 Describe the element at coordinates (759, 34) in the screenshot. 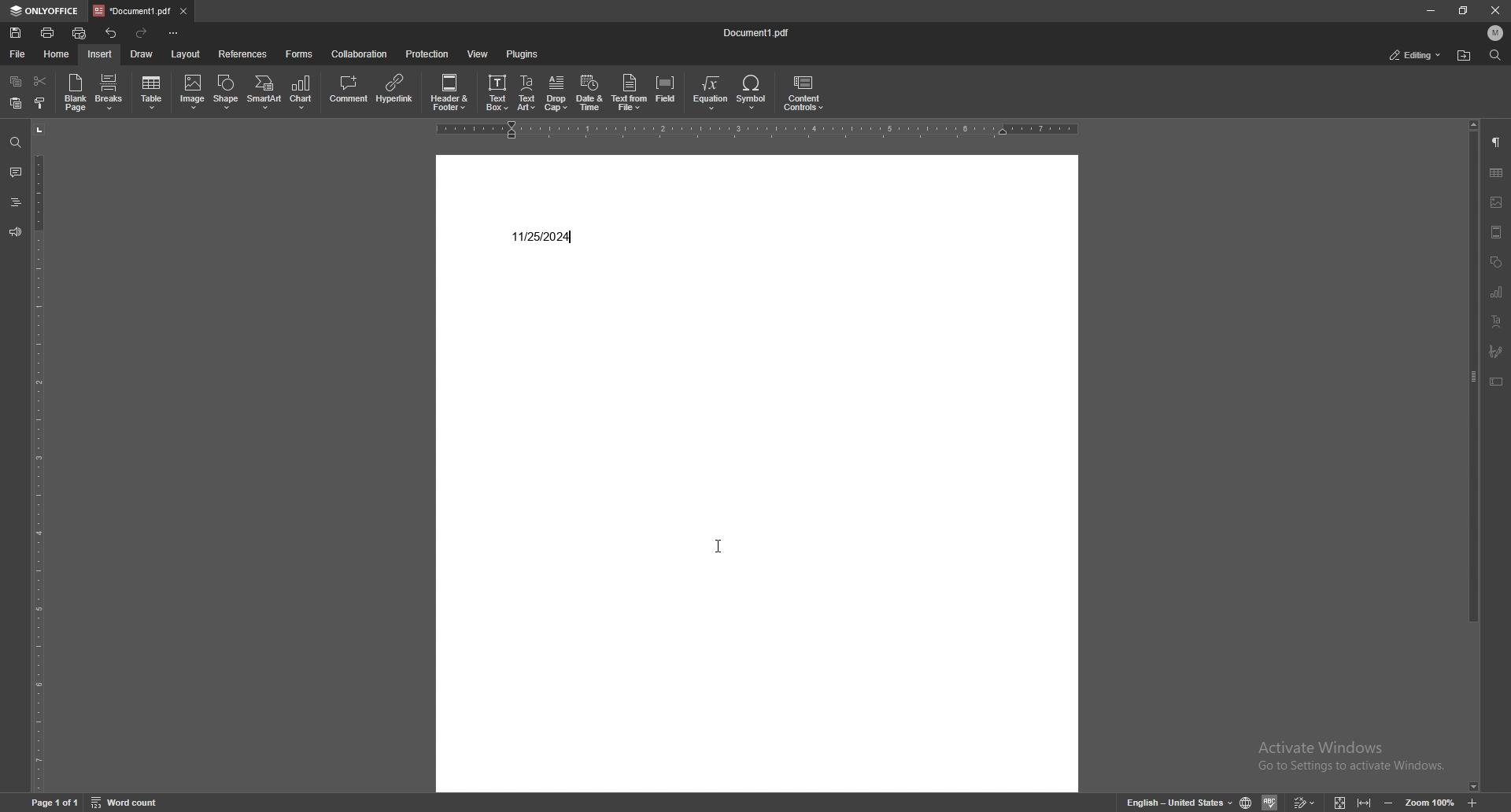

I see `file name` at that location.